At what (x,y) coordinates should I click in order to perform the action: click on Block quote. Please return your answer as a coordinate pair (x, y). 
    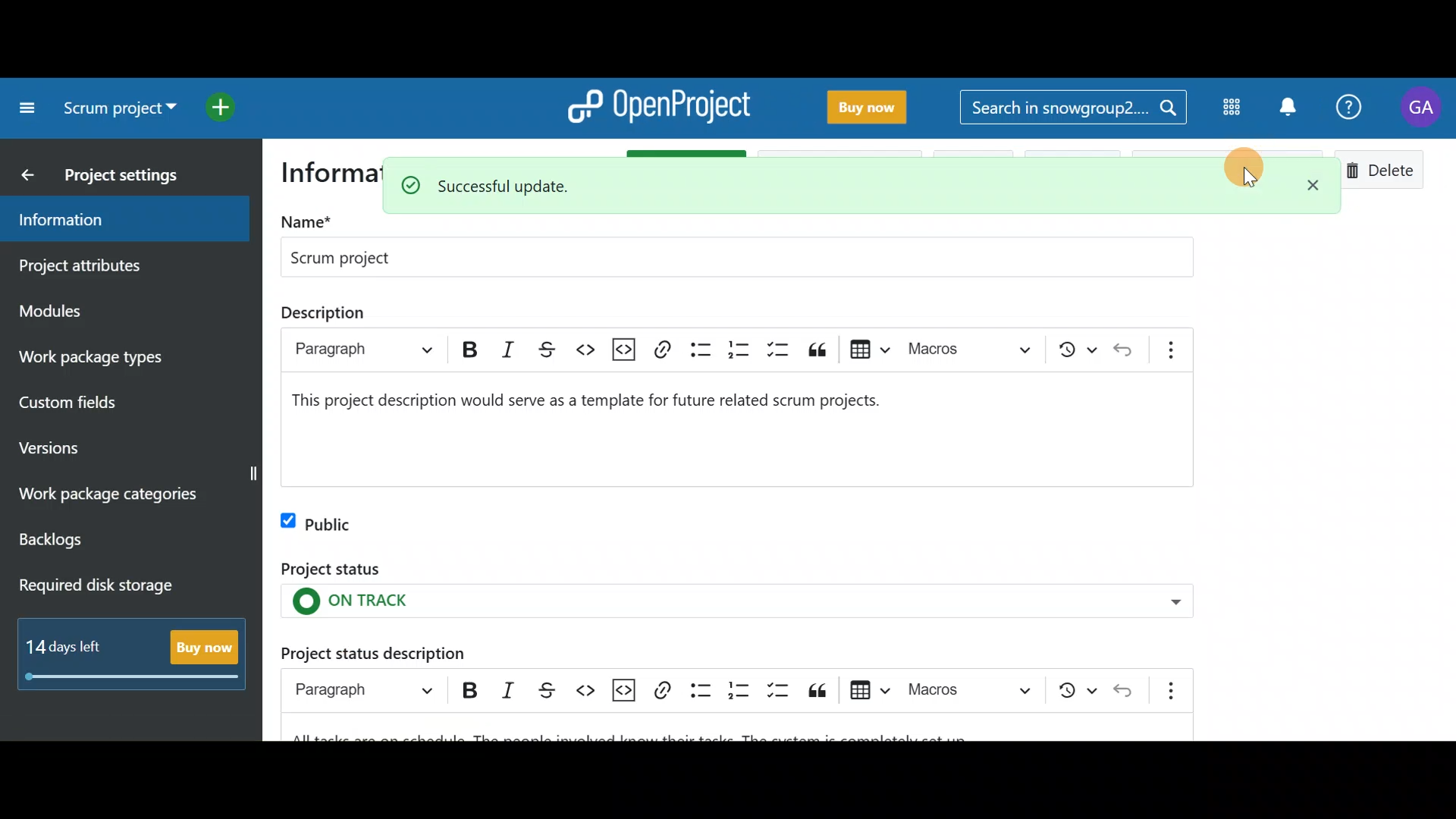
    Looking at the image, I should click on (818, 691).